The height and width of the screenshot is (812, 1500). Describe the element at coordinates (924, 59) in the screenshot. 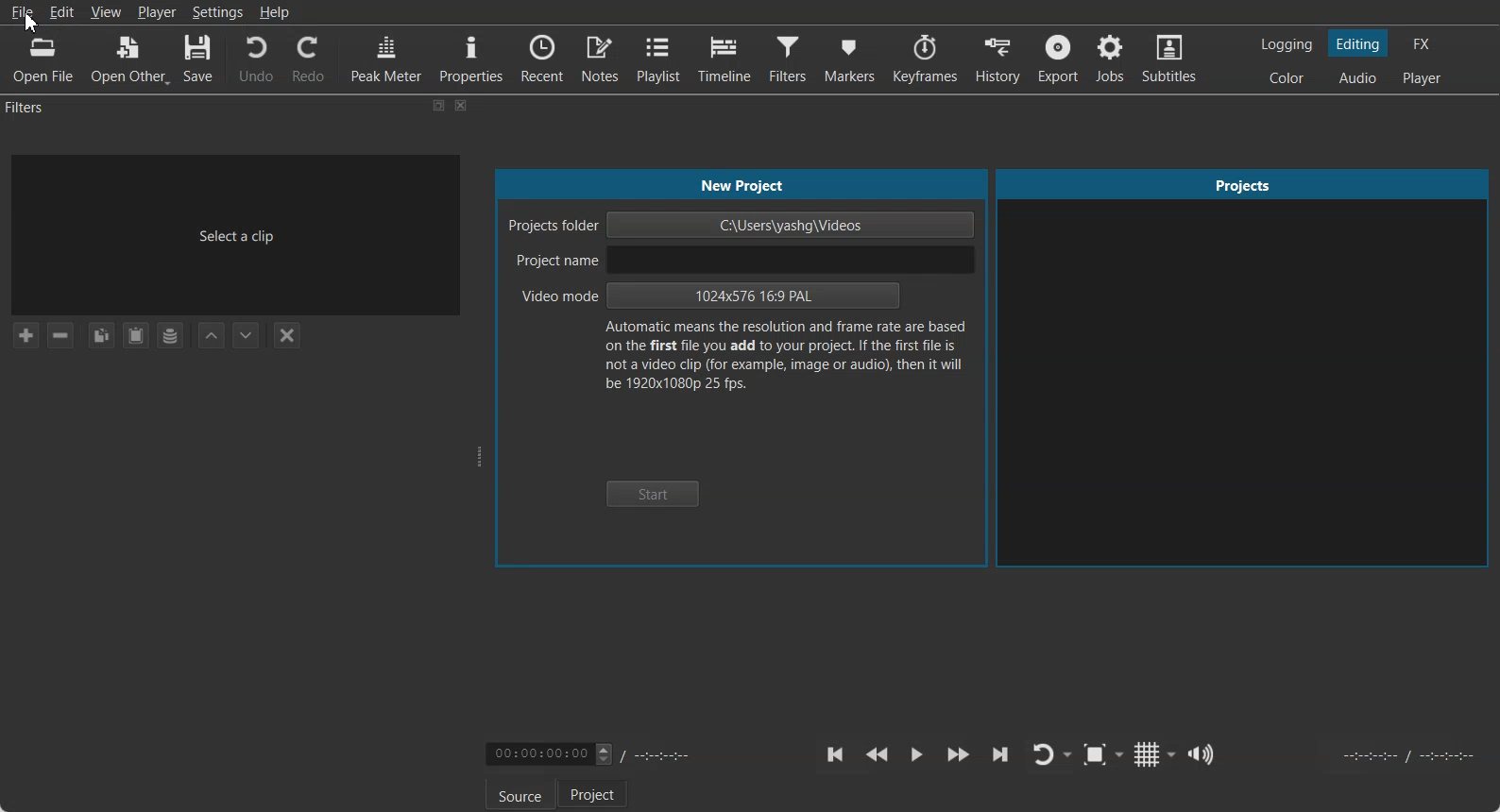

I see `Keyframes` at that location.